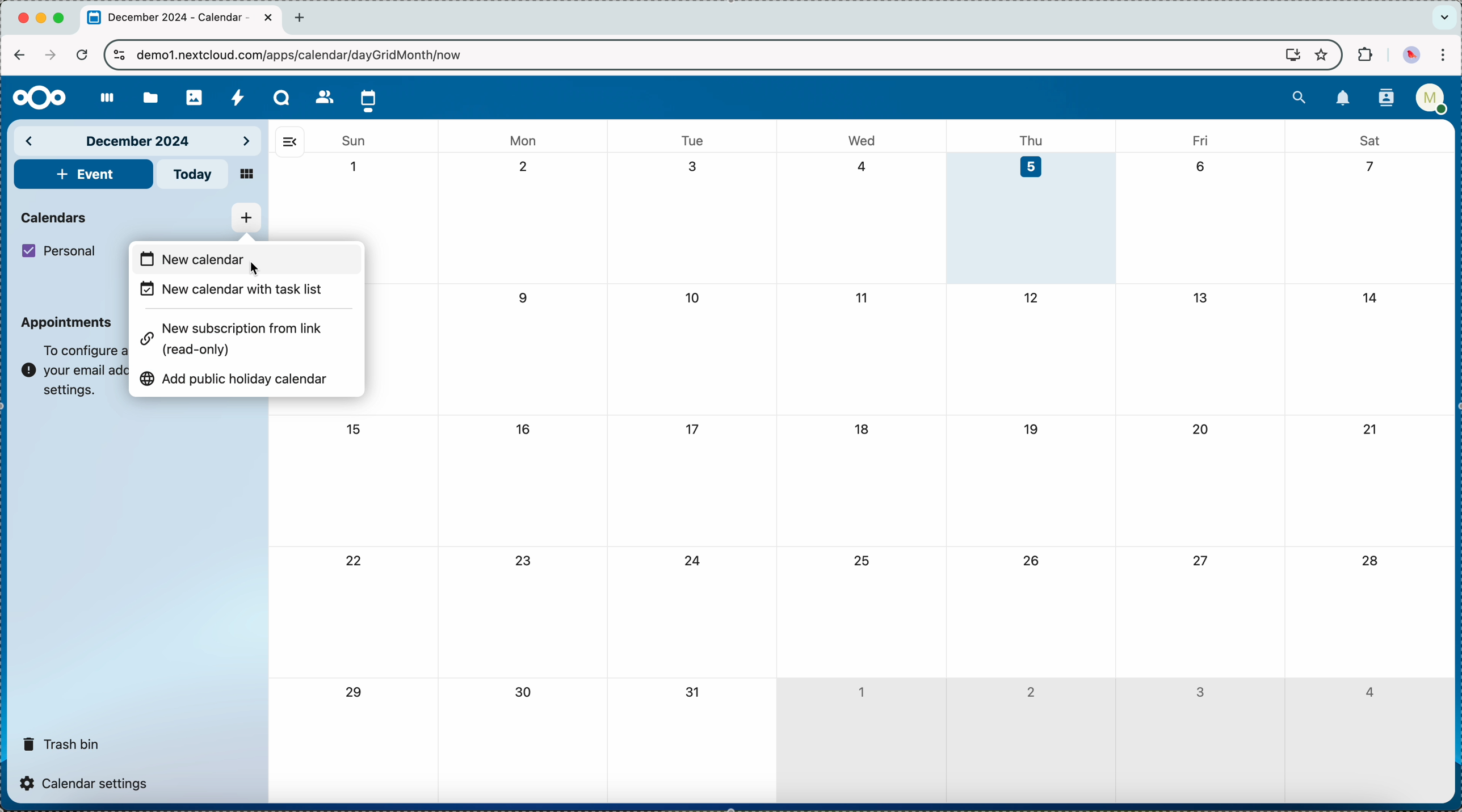 This screenshot has height=812, width=1462. I want to click on 1, so click(355, 167).